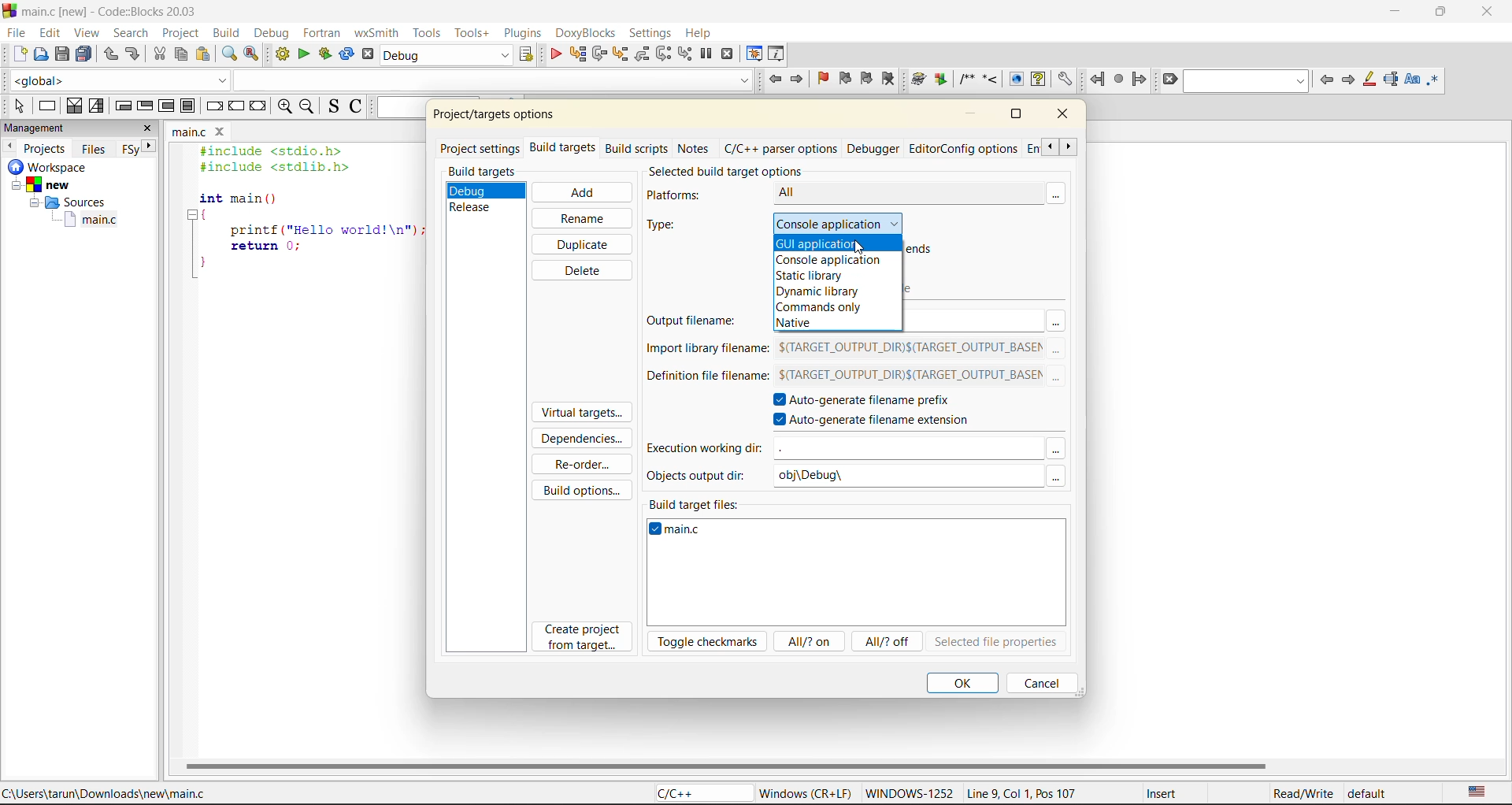 The width and height of the screenshot is (1512, 805). Describe the element at coordinates (709, 374) in the screenshot. I see `definition file filename` at that location.